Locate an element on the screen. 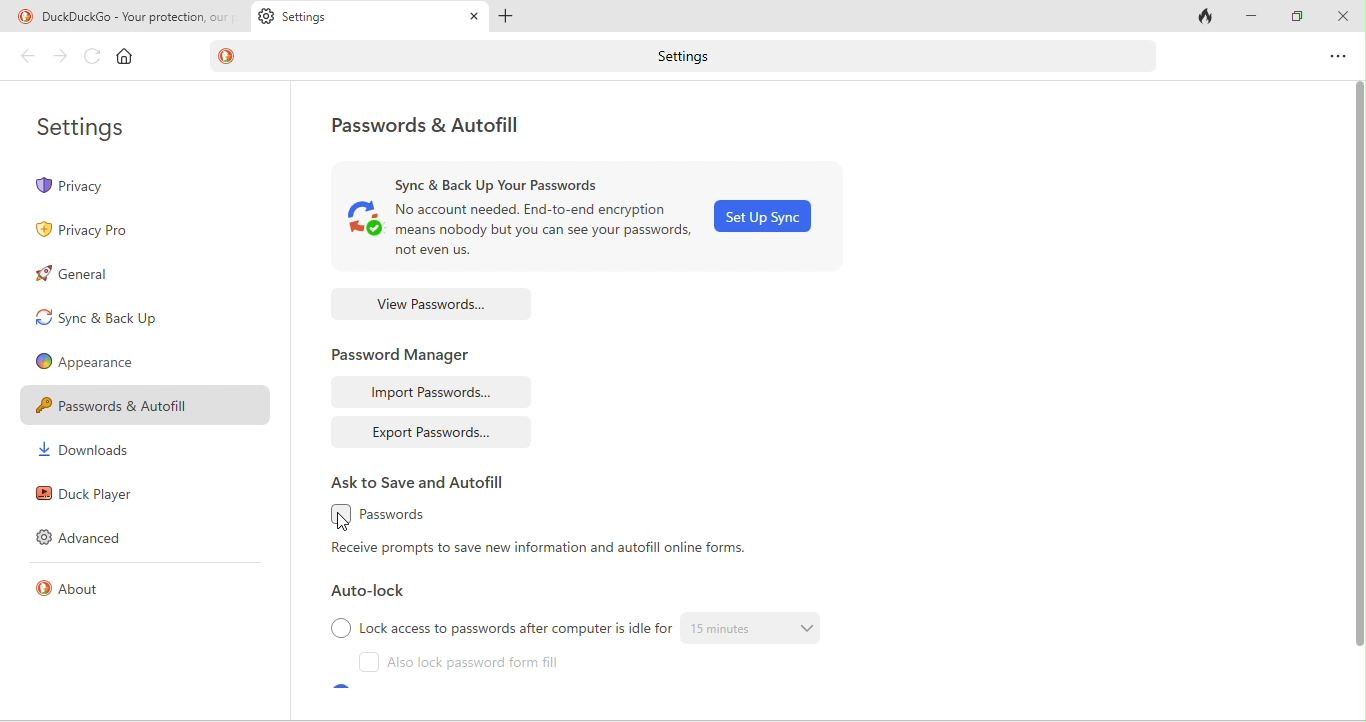  Password & Autofill is located at coordinates (145, 407).